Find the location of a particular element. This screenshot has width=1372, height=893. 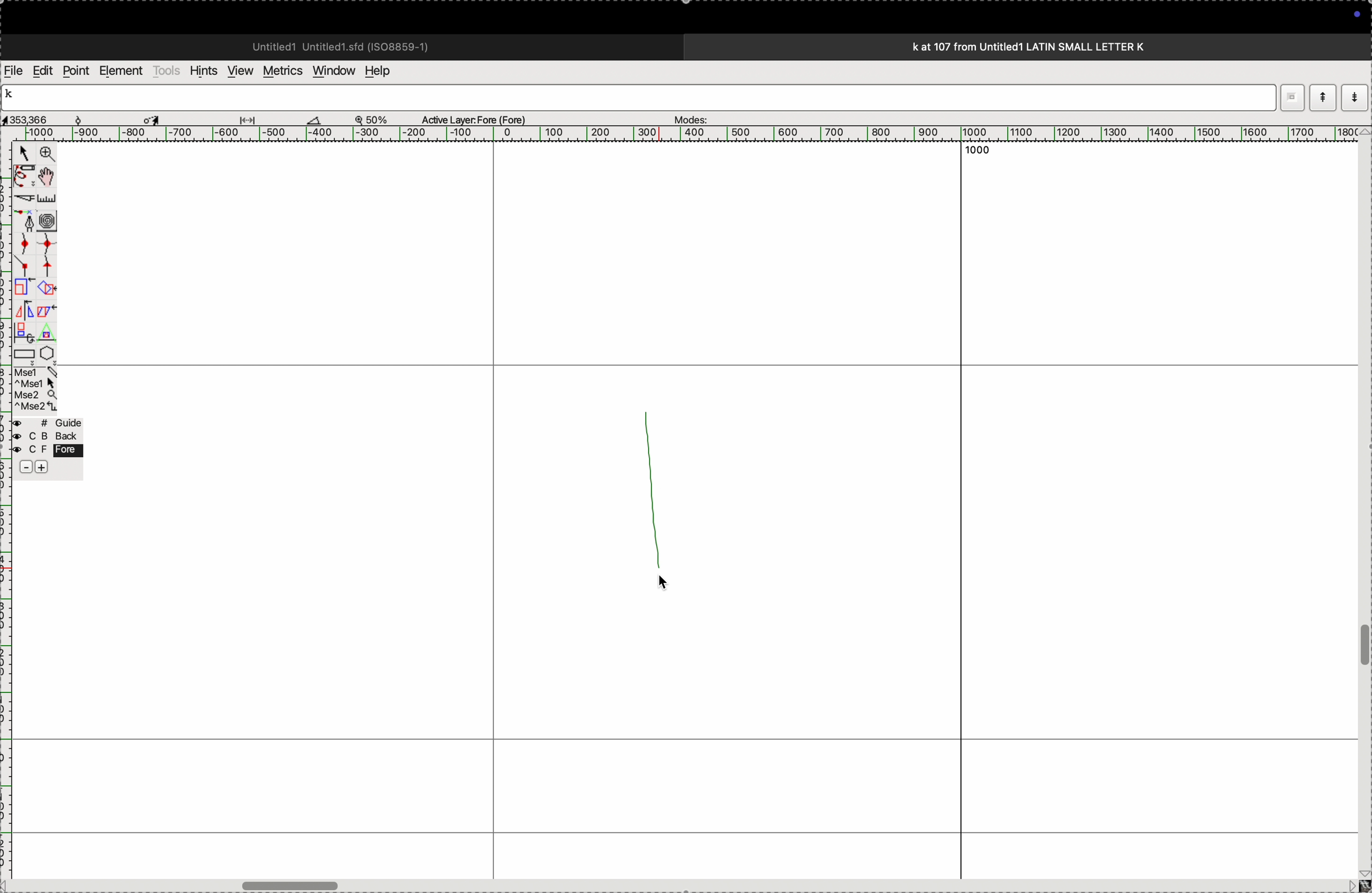

apply is located at coordinates (47, 319).